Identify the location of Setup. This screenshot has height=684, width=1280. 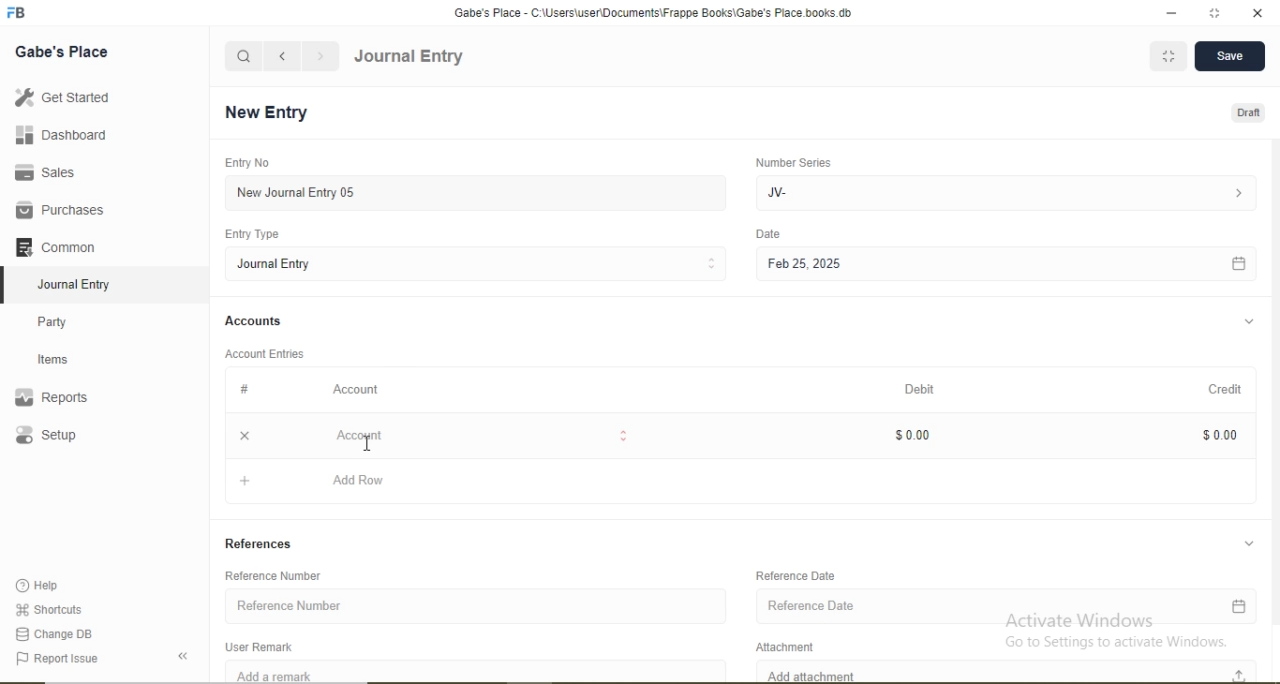
(75, 437).